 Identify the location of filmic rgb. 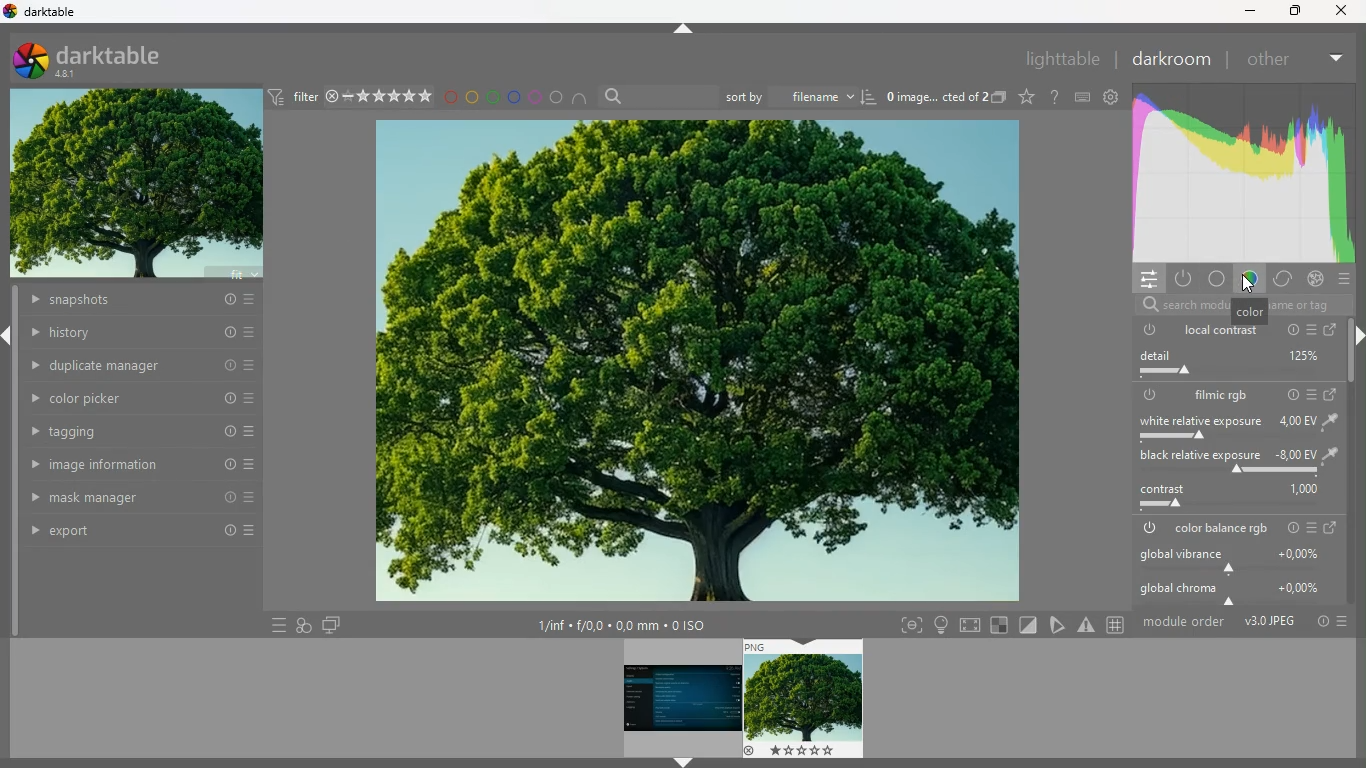
(1221, 396).